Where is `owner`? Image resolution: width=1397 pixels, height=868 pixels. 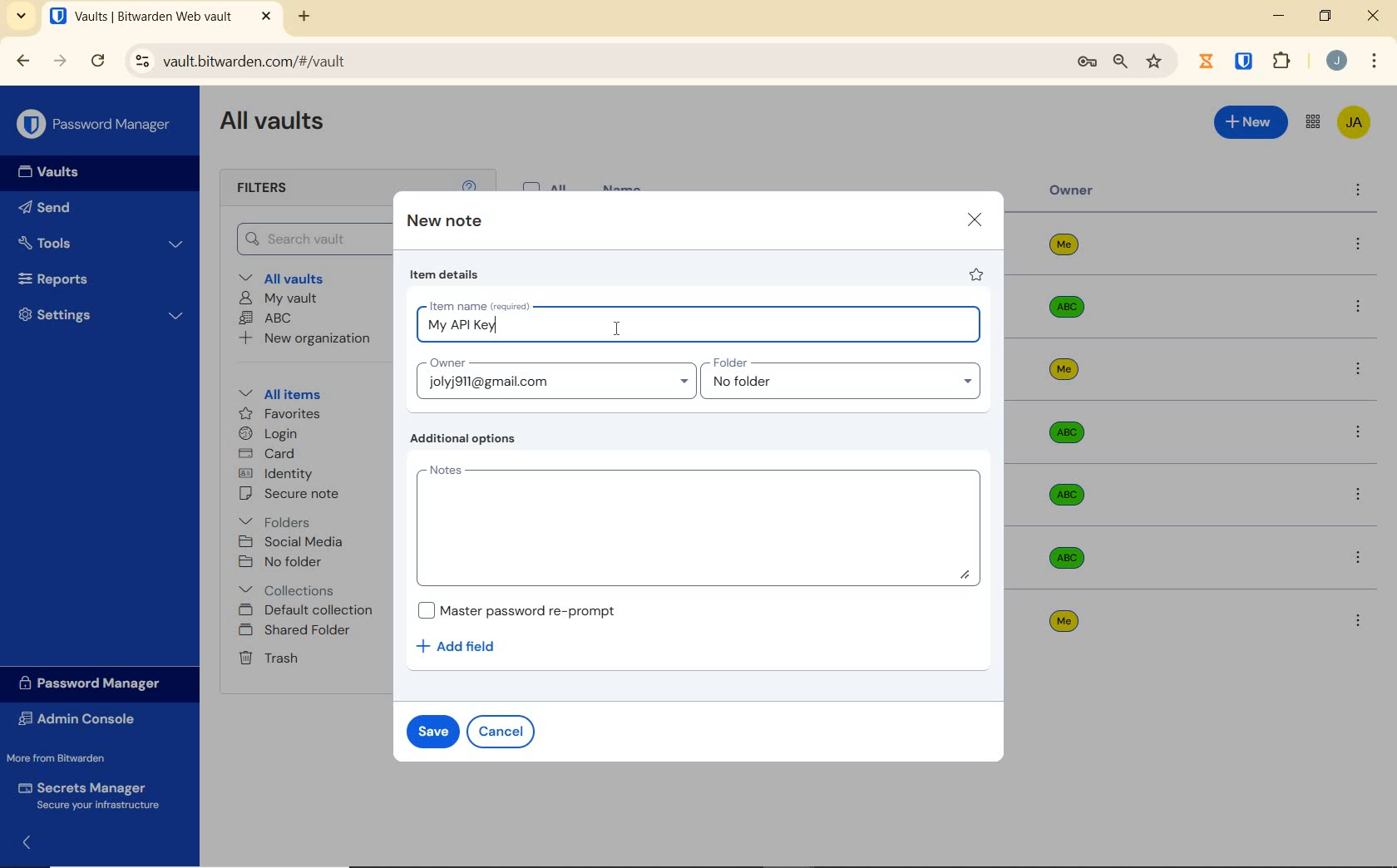 owner is located at coordinates (1072, 192).